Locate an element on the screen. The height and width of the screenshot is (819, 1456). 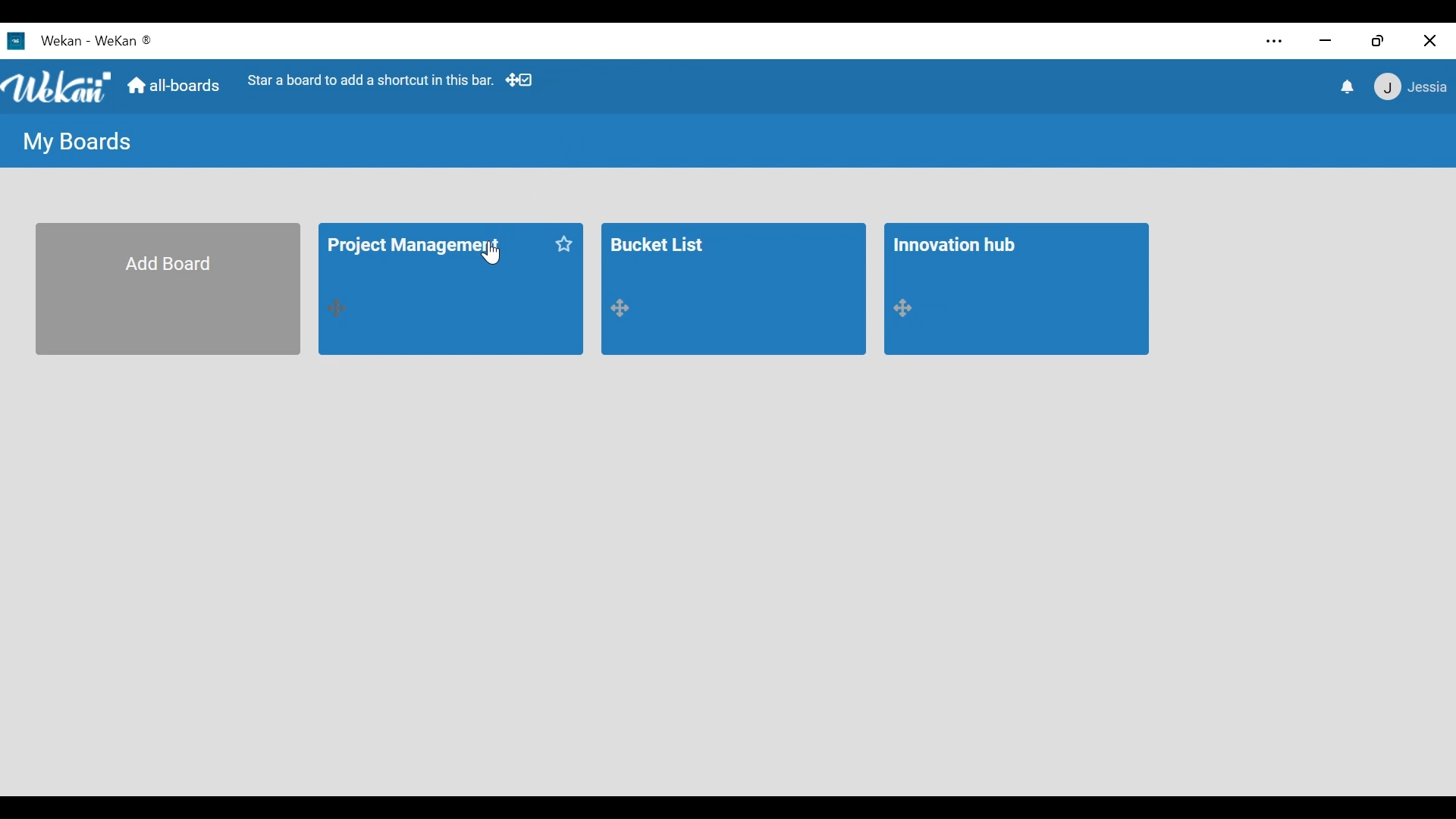
Add Board is located at coordinates (168, 290).